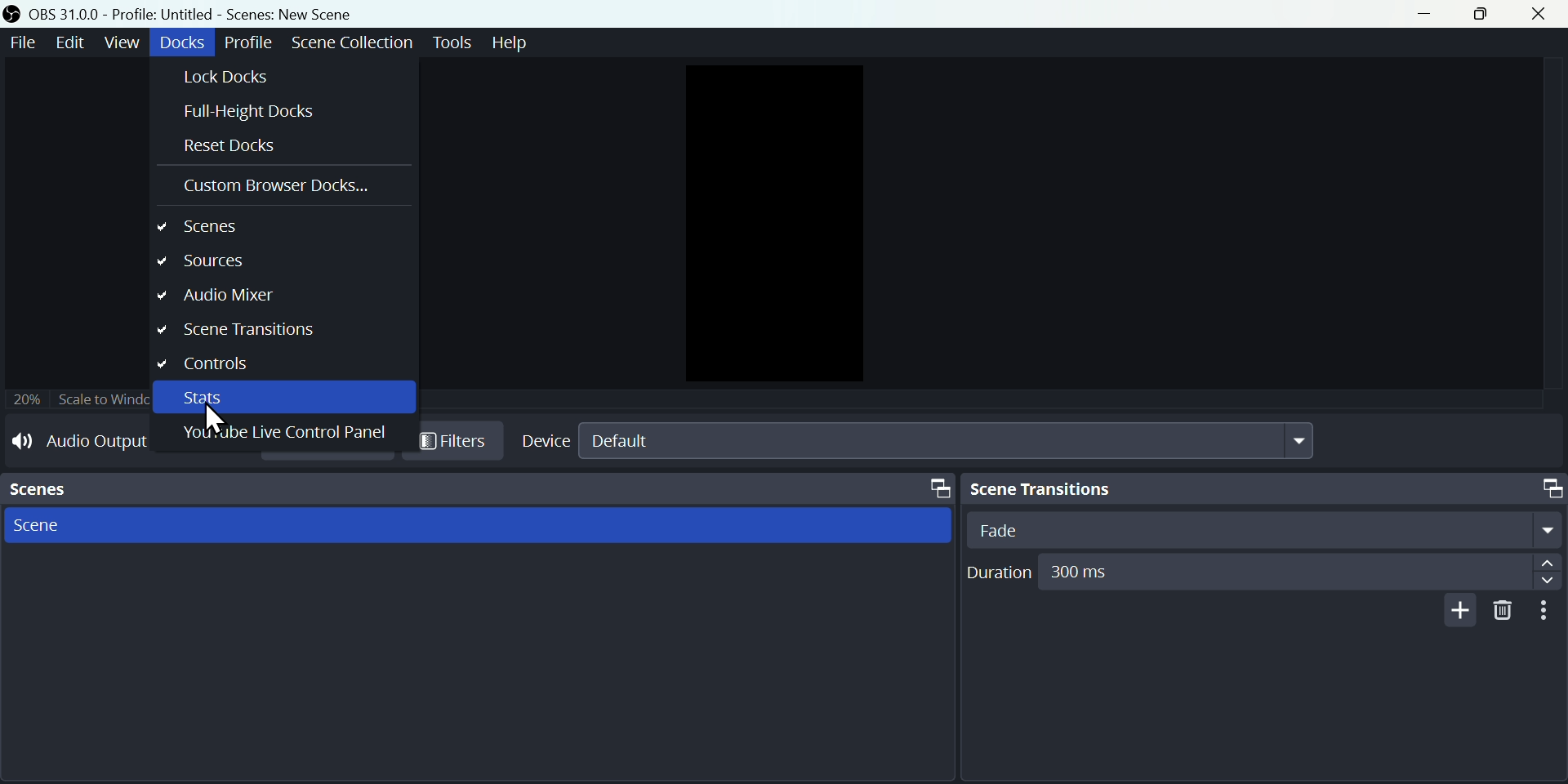 The image size is (1568, 784). I want to click on Duration 300ms, so click(1264, 570).